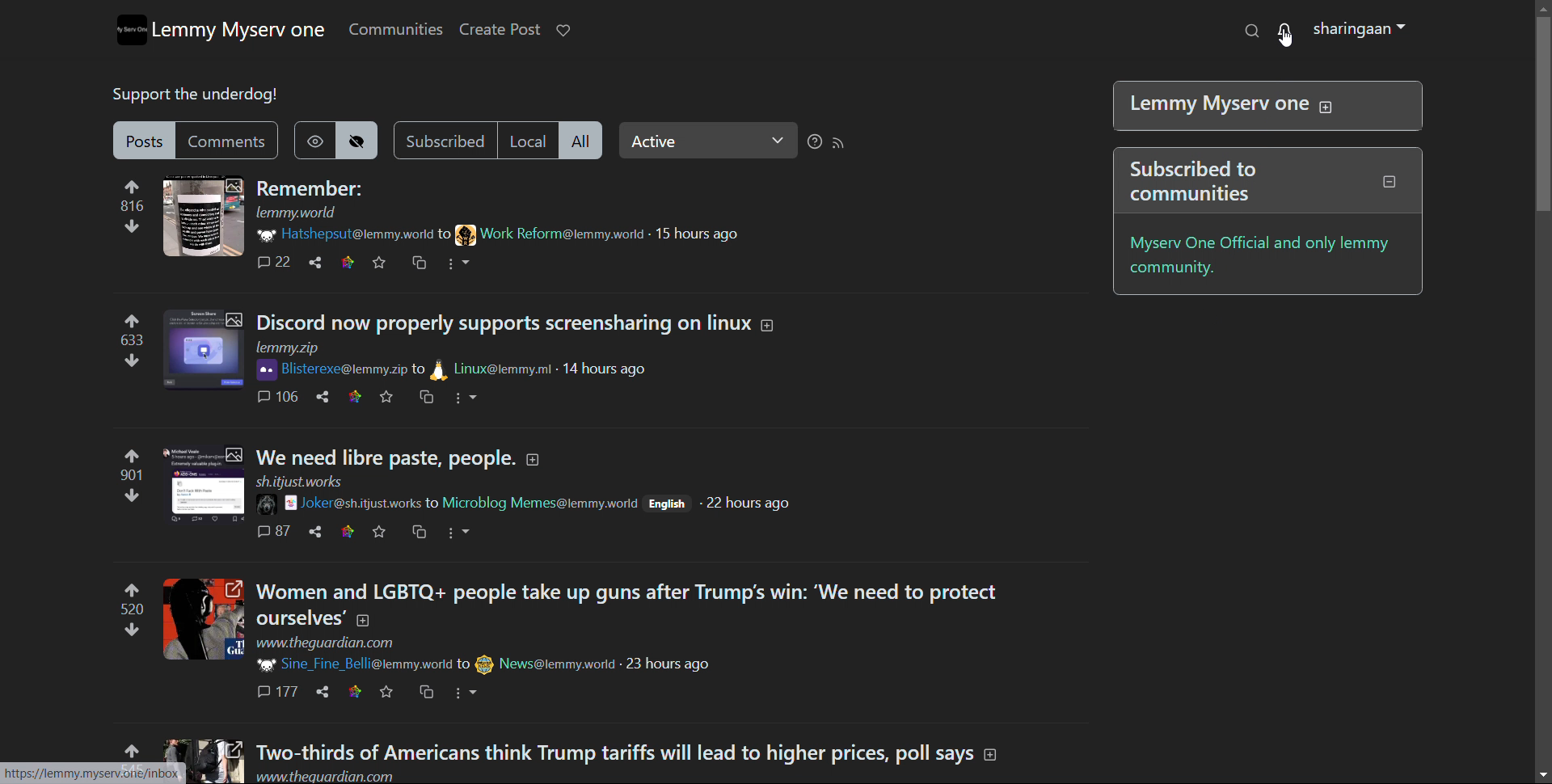 This screenshot has height=784, width=1552. I want to click on (23 hours ago)time of posting, so click(668, 664).